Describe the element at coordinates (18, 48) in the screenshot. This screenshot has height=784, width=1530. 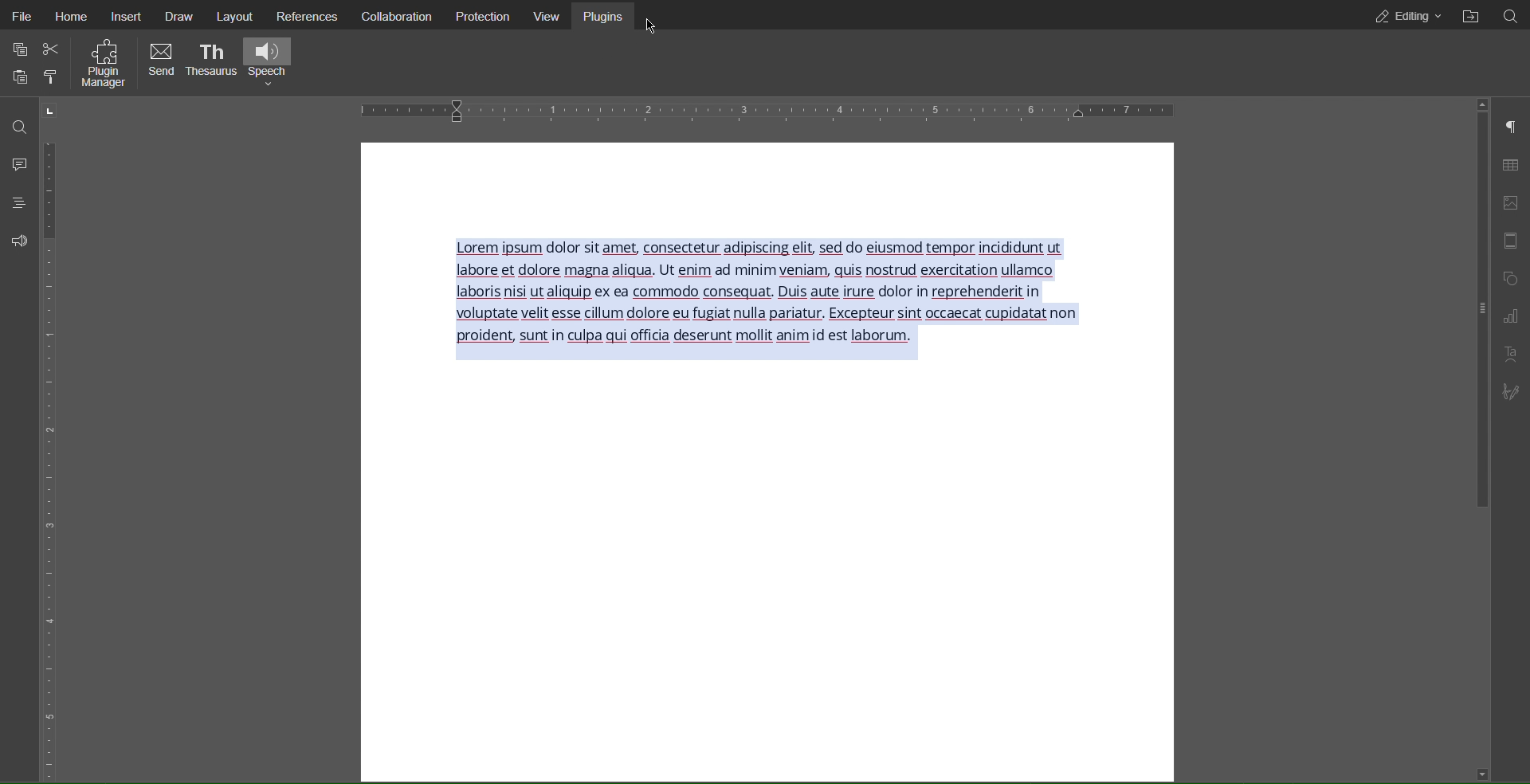
I see `Copy Paste Settings` at that location.